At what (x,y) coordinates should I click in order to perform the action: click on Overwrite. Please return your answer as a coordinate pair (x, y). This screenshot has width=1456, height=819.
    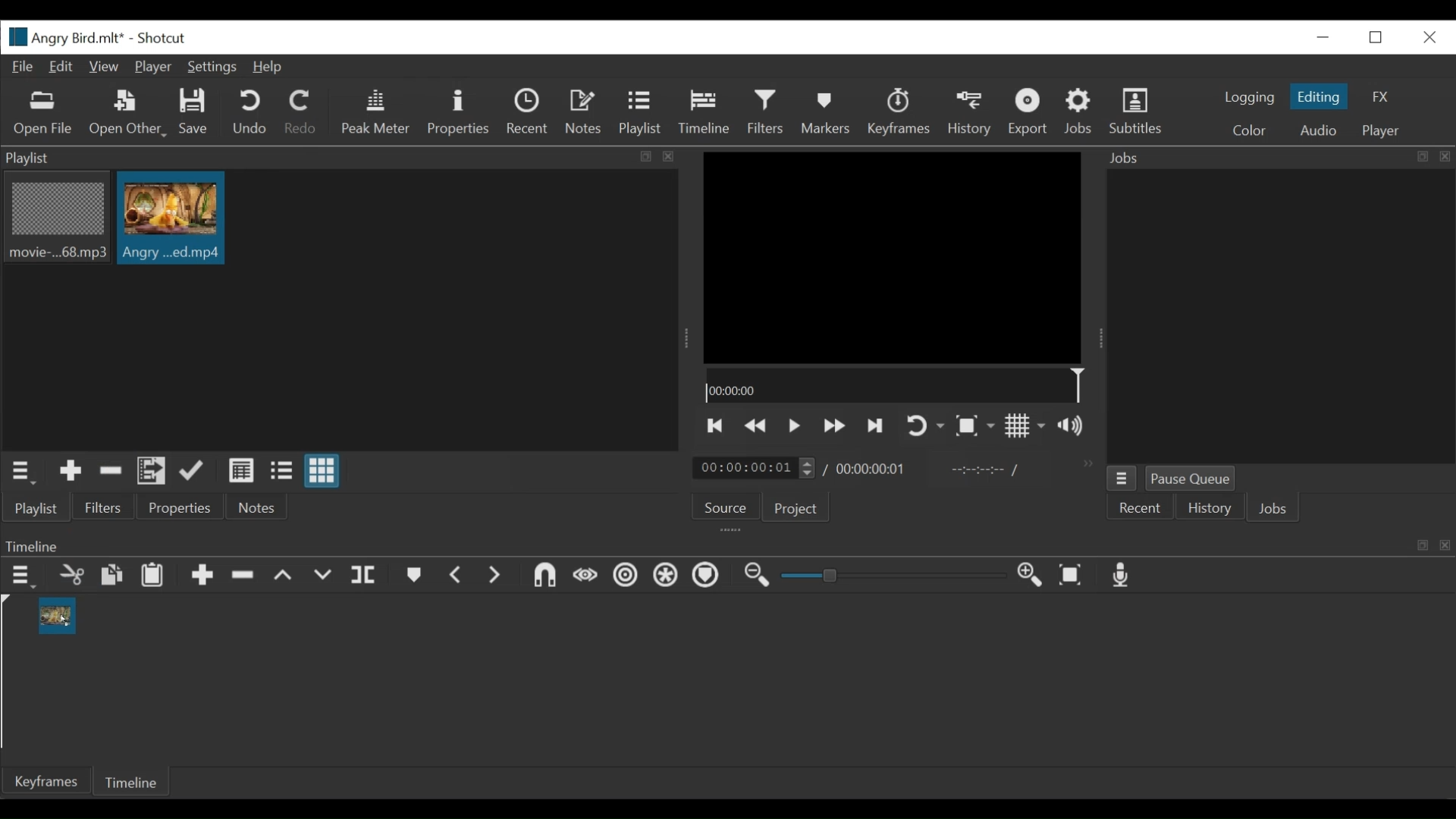
    Looking at the image, I should click on (324, 576).